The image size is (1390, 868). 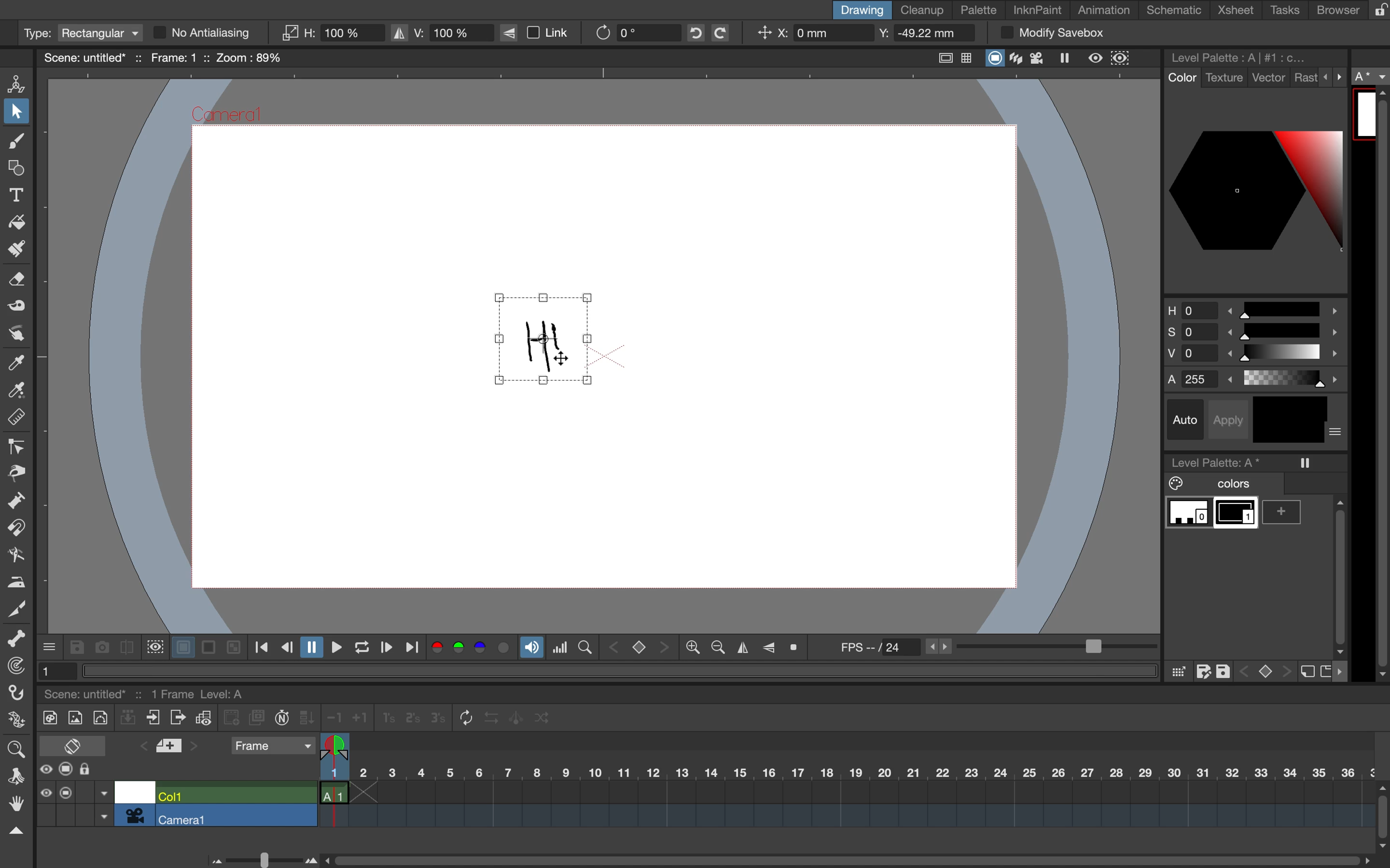 I want to click on safe area, so click(x=942, y=56).